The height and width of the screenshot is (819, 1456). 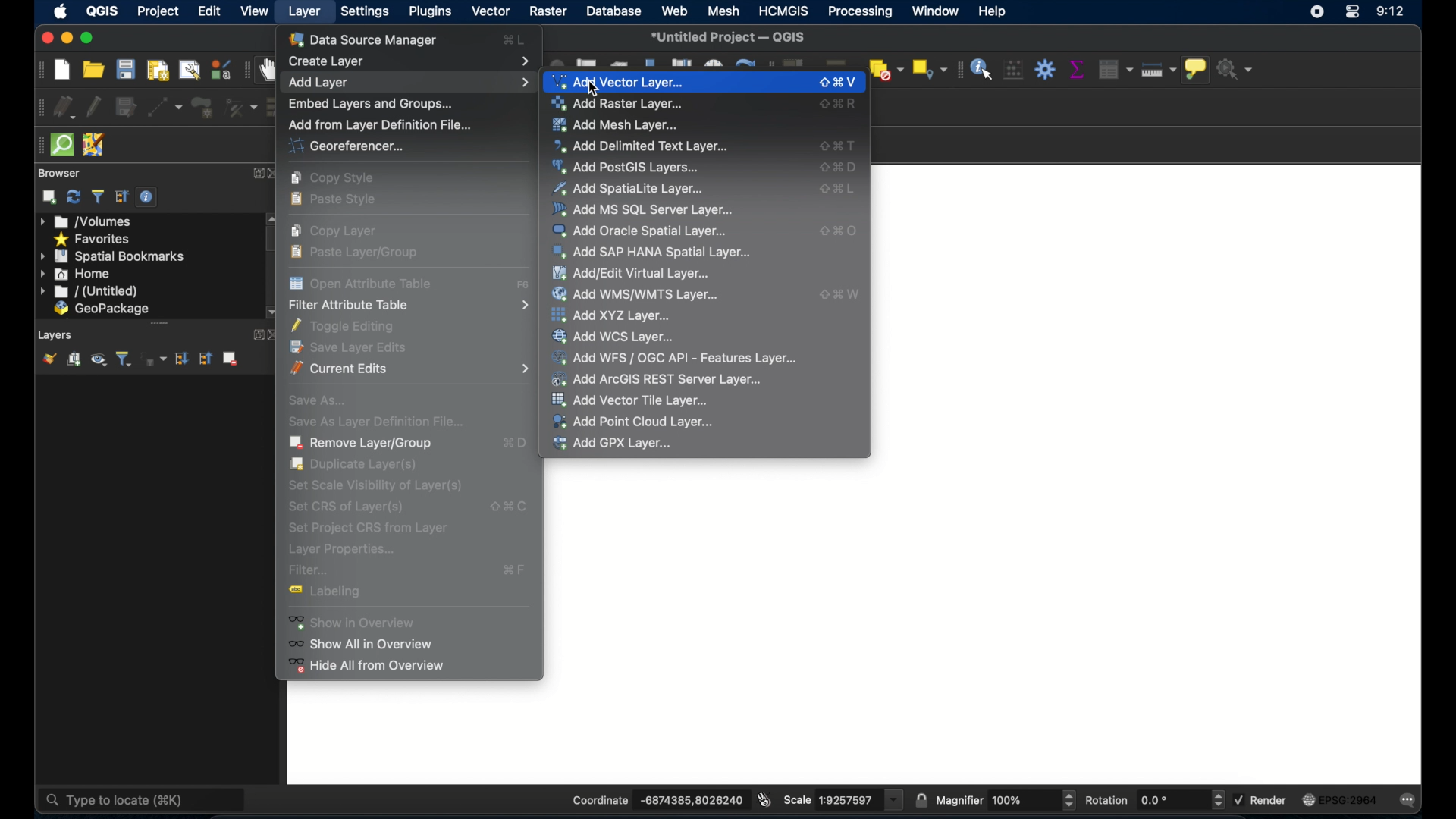 What do you see at coordinates (113, 256) in the screenshot?
I see `spatial bookmarks` at bounding box center [113, 256].